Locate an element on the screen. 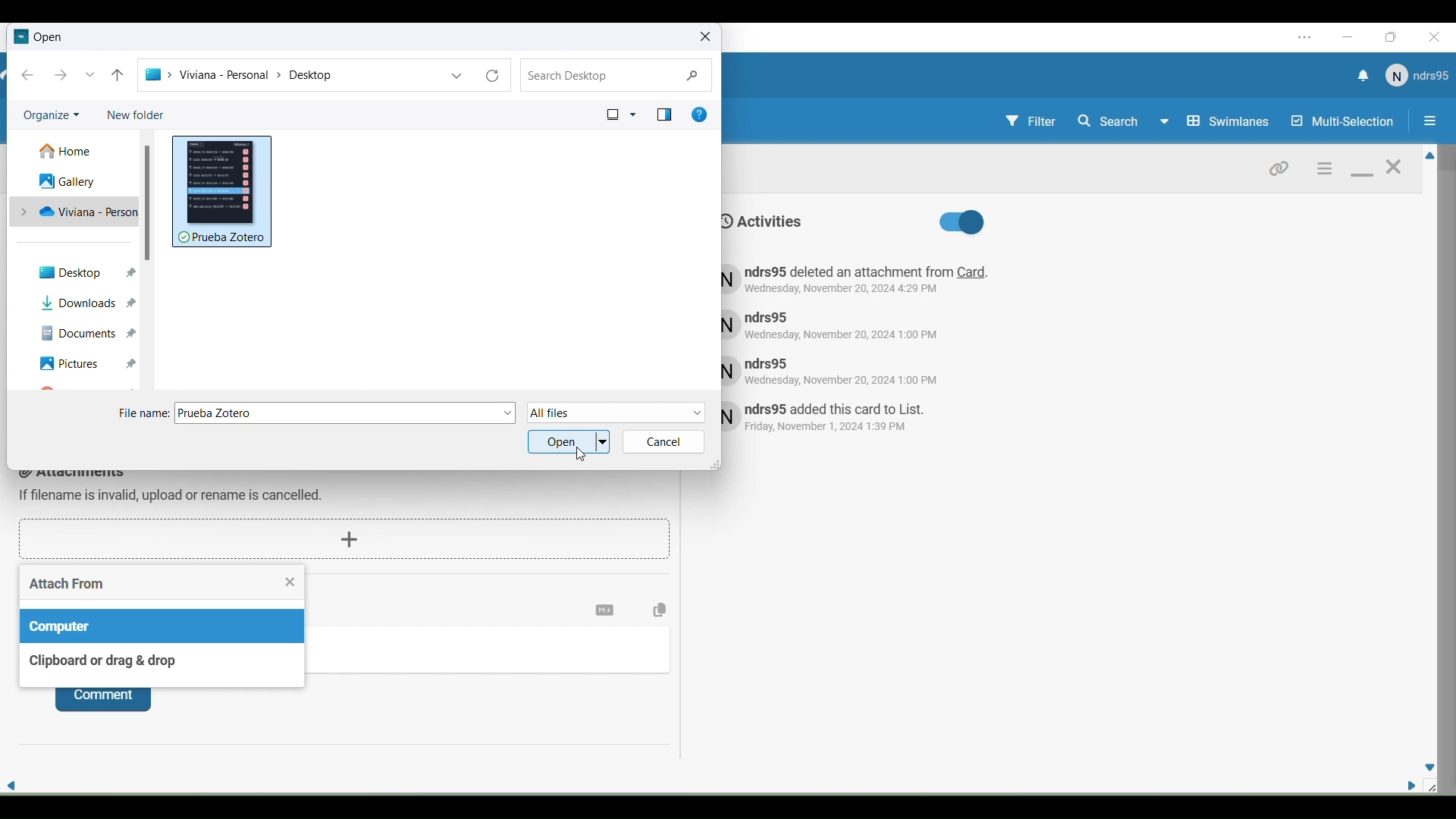 This screenshot has height=819, width=1456. More options is located at coordinates (457, 76).